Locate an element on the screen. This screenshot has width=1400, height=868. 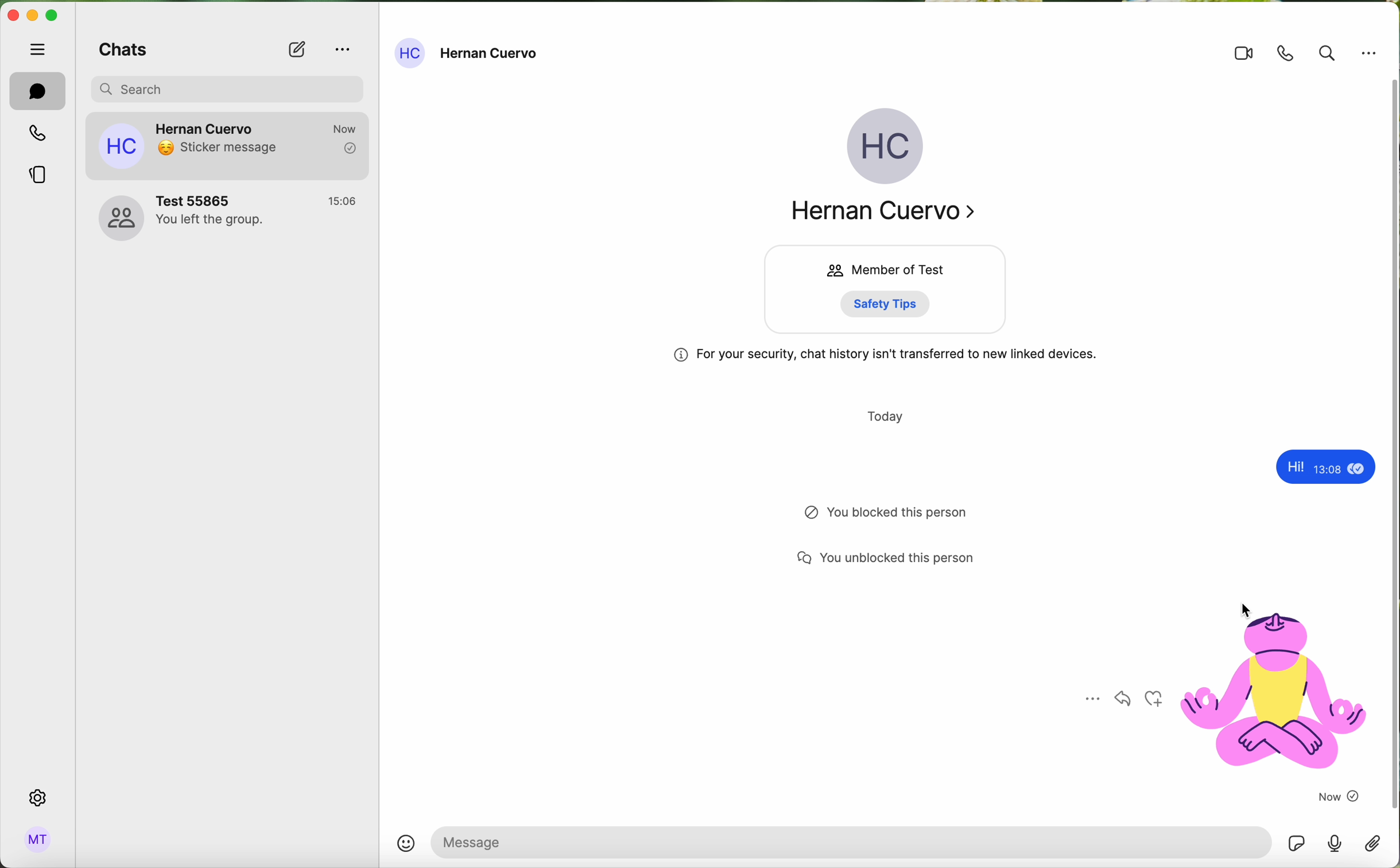
now is located at coordinates (1338, 797).